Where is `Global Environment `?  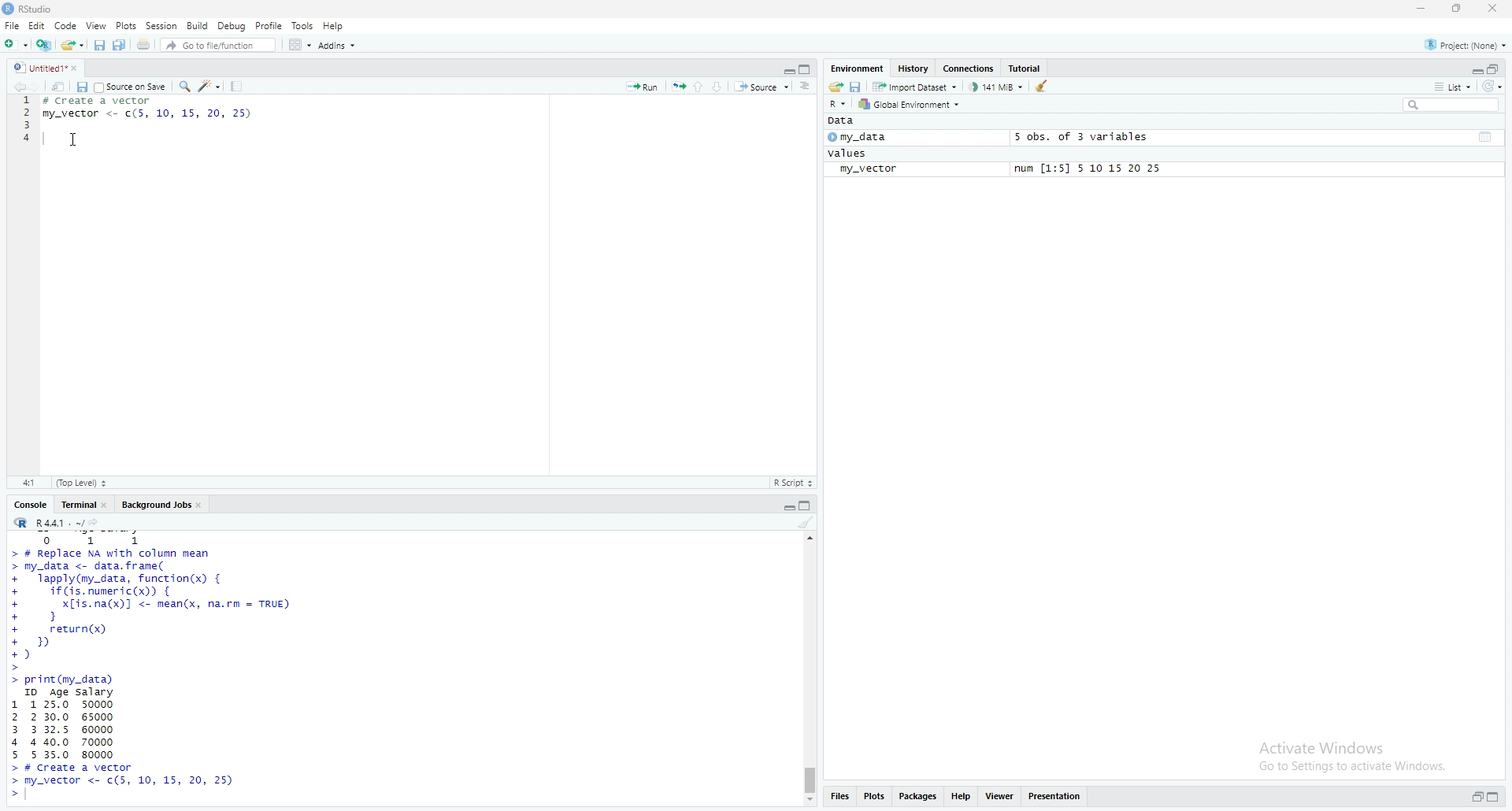 Global Environment  is located at coordinates (913, 104).